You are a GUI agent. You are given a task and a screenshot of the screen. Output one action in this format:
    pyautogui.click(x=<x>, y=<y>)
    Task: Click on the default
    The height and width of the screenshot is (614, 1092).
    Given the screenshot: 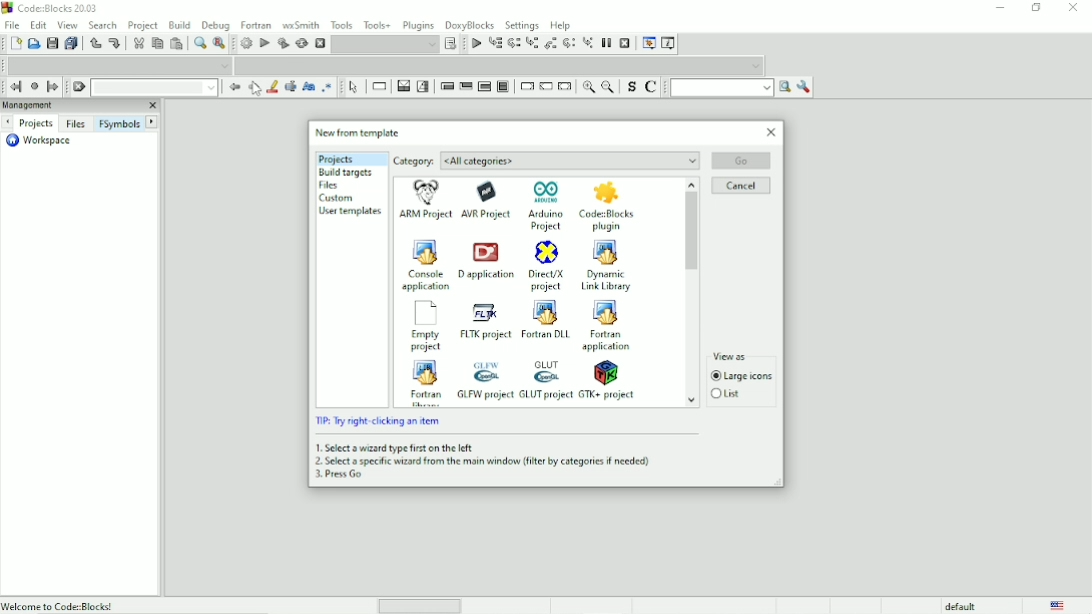 What is the action you would take?
    pyautogui.click(x=961, y=605)
    